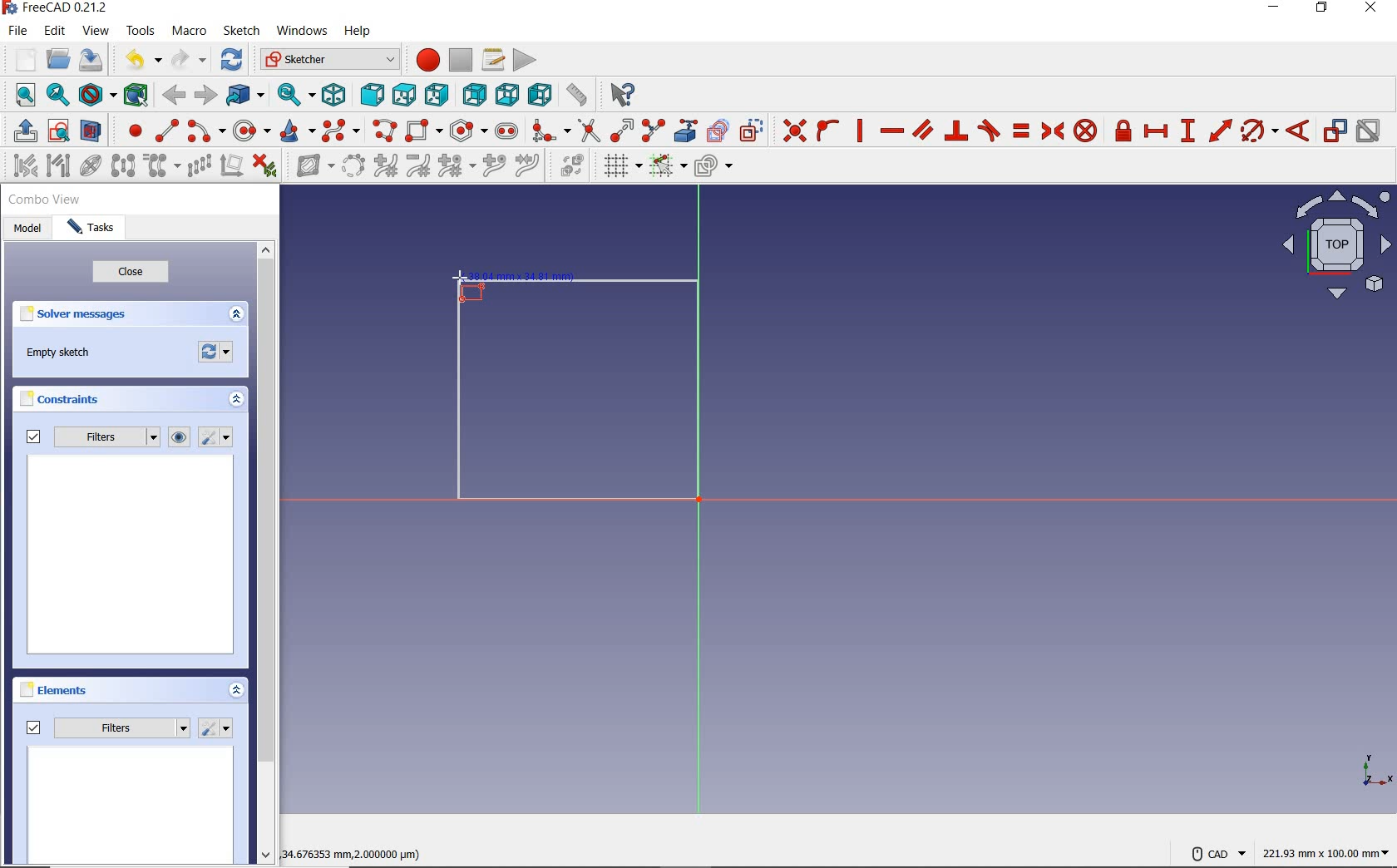 The width and height of the screenshot is (1397, 868). Describe the element at coordinates (57, 166) in the screenshot. I see `select associated geometry` at that location.